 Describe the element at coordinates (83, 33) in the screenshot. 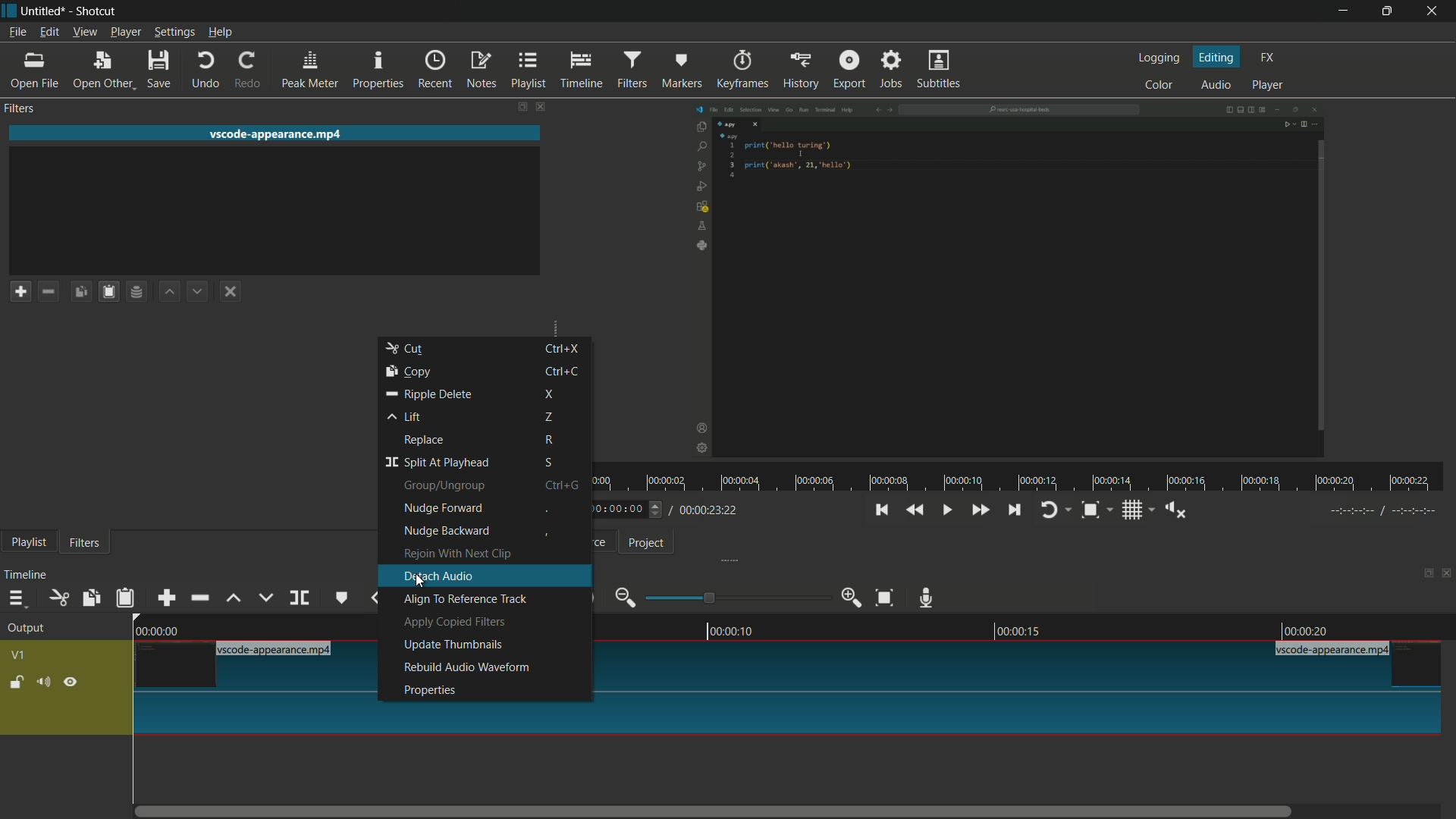

I see `view menu` at that location.